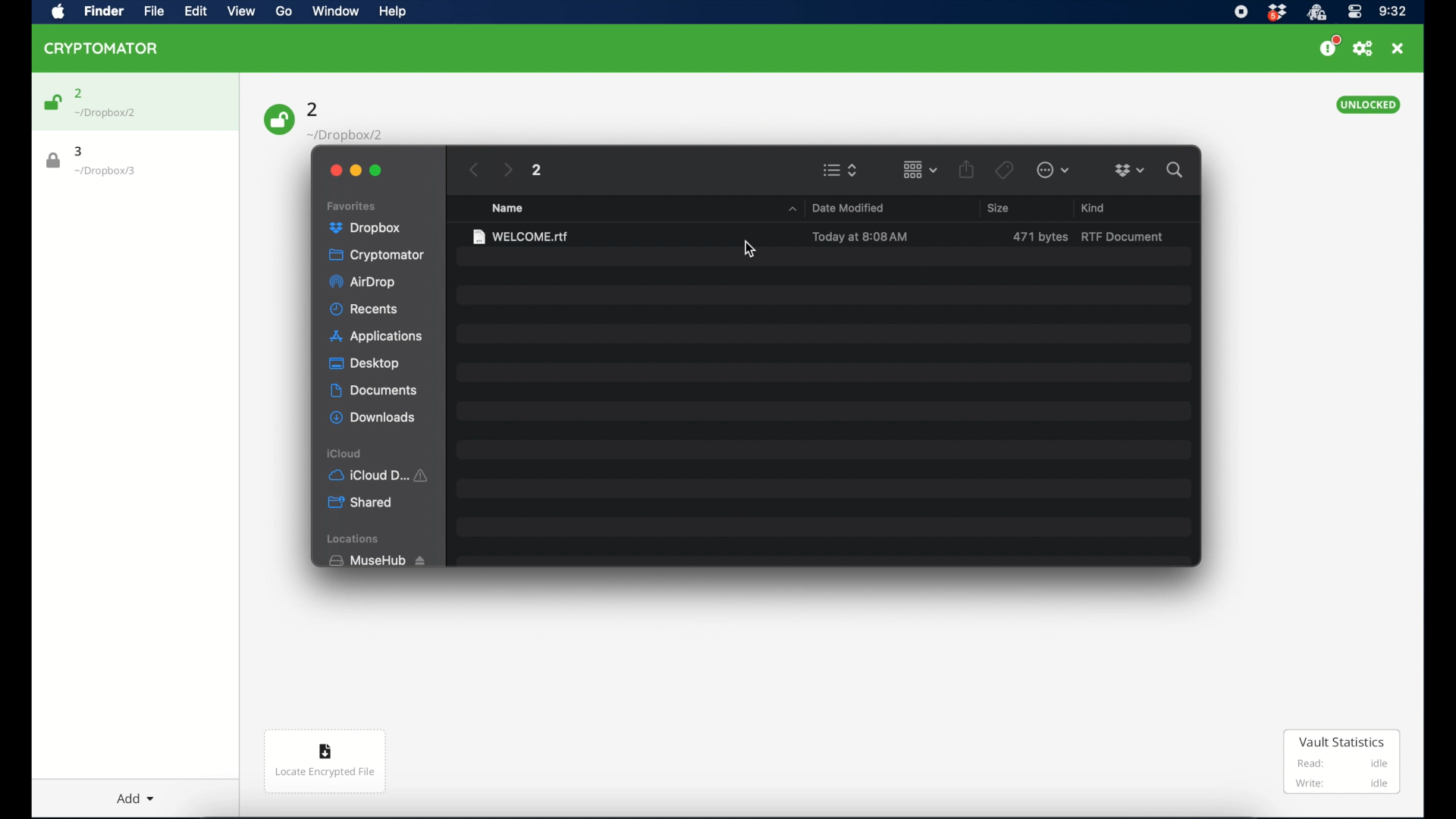  What do you see at coordinates (140, 797) in the screenshot?
I see `Add dropdown` at bounding box center [140, 797].